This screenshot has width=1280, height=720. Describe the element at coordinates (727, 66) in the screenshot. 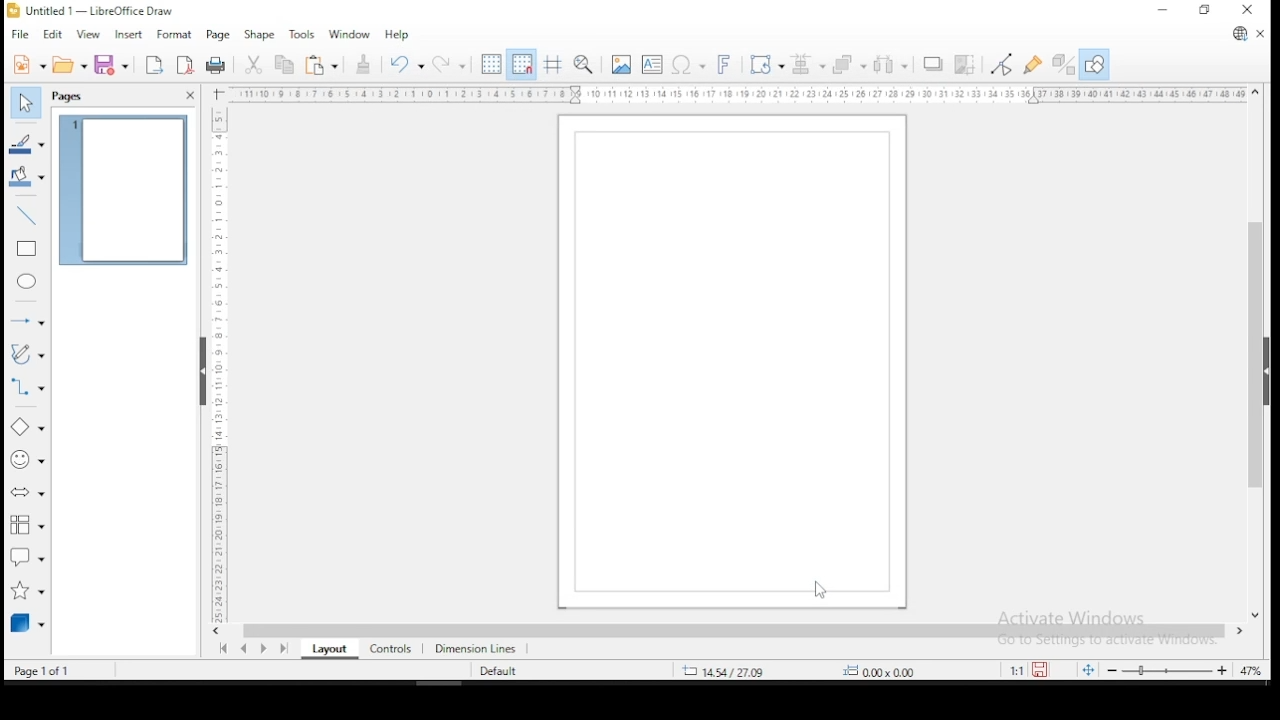

I see `insert fontwork text` at that location.